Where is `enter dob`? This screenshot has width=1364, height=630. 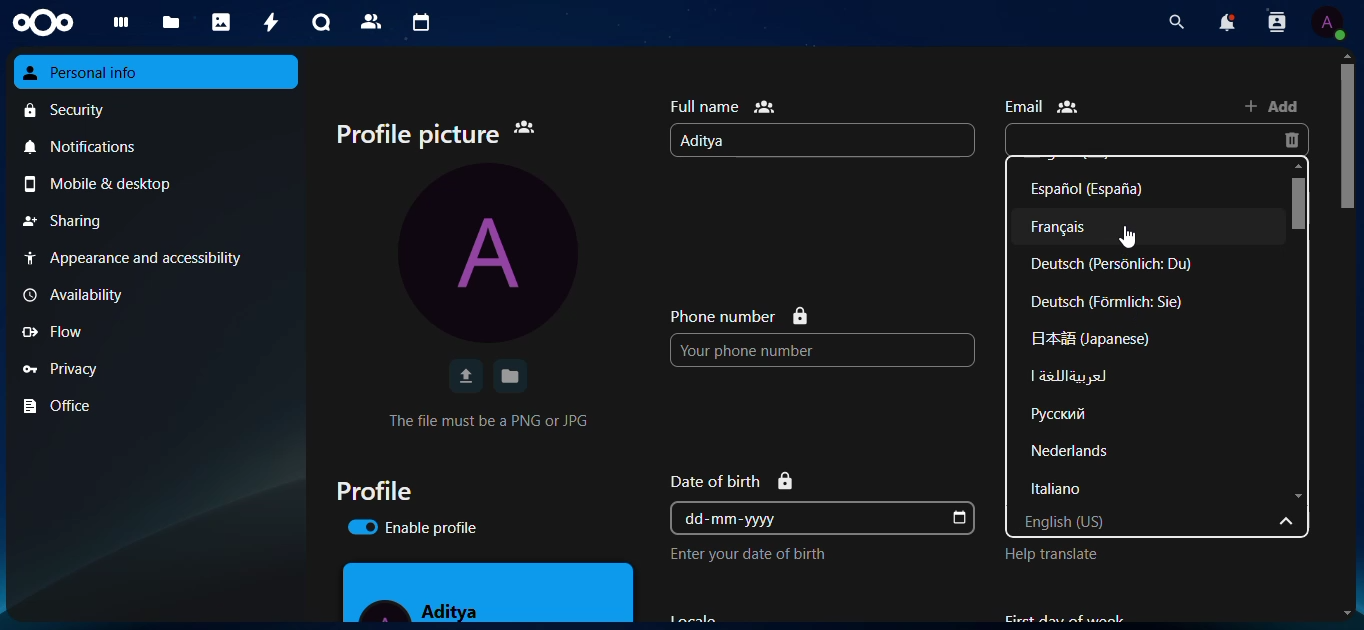
enter dob is located at coordinates (759, 554).